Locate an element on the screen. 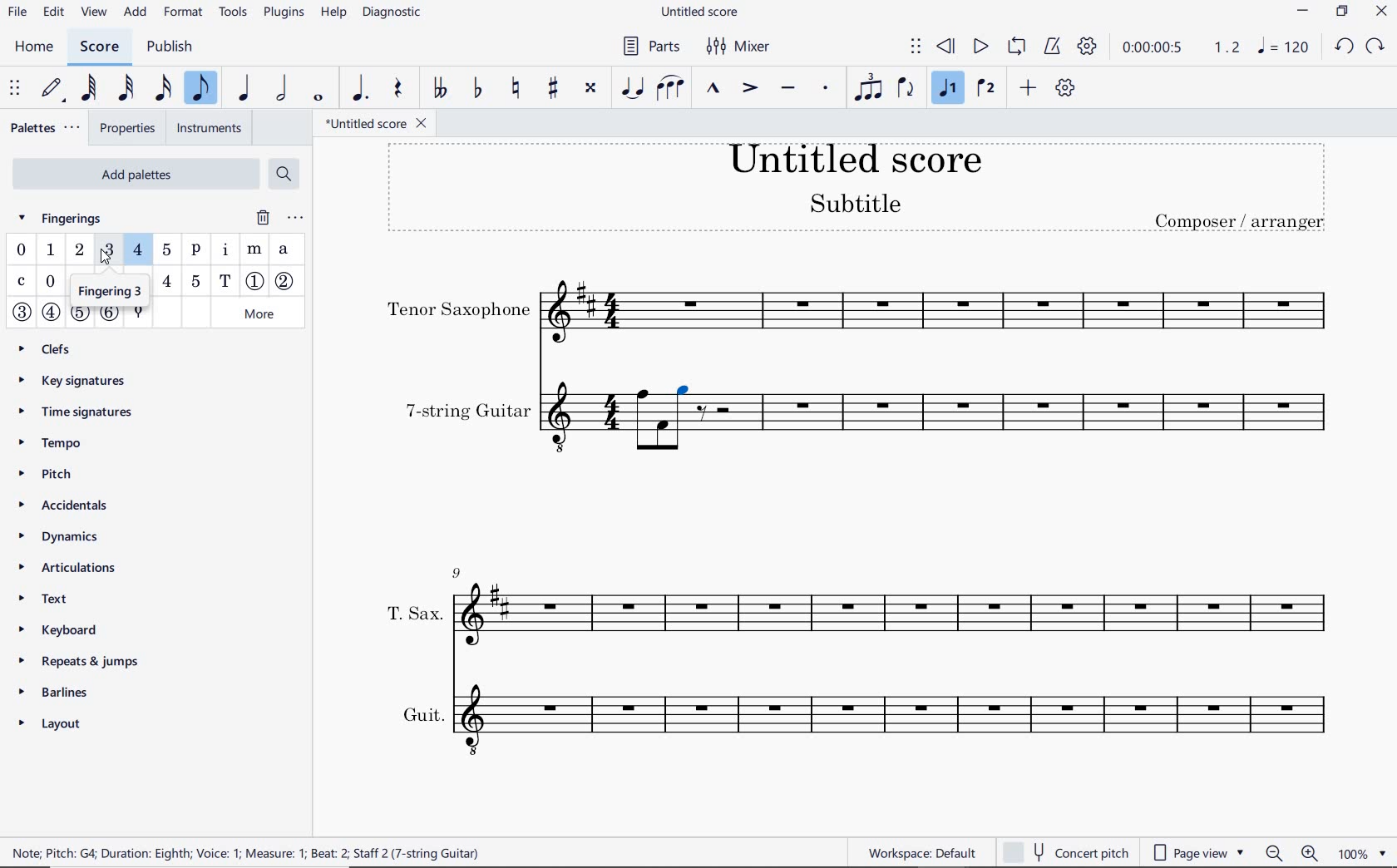  FILE NAME is located at coordinates (380, 124).